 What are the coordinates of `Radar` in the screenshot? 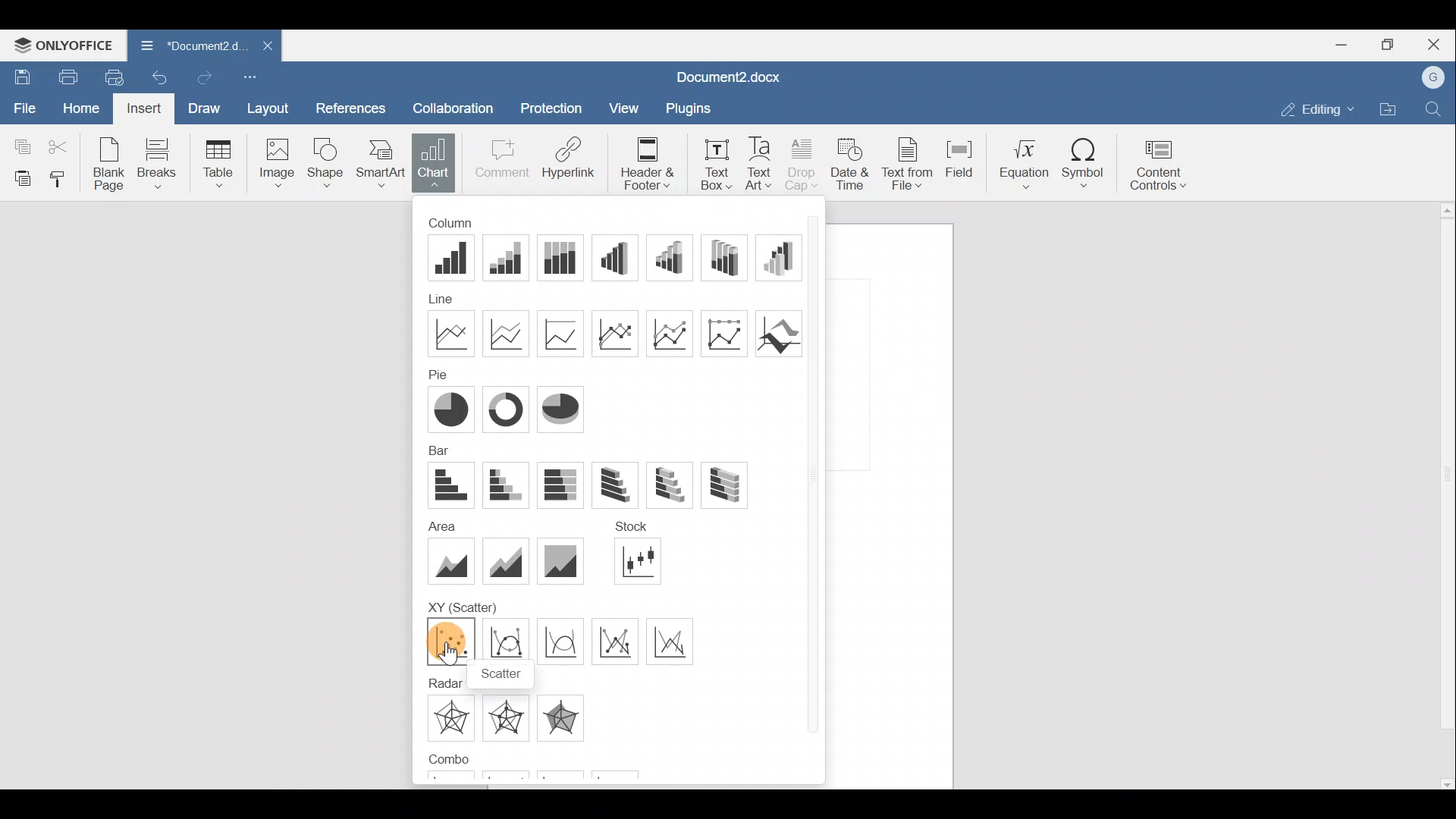 It's located at (450, 718).